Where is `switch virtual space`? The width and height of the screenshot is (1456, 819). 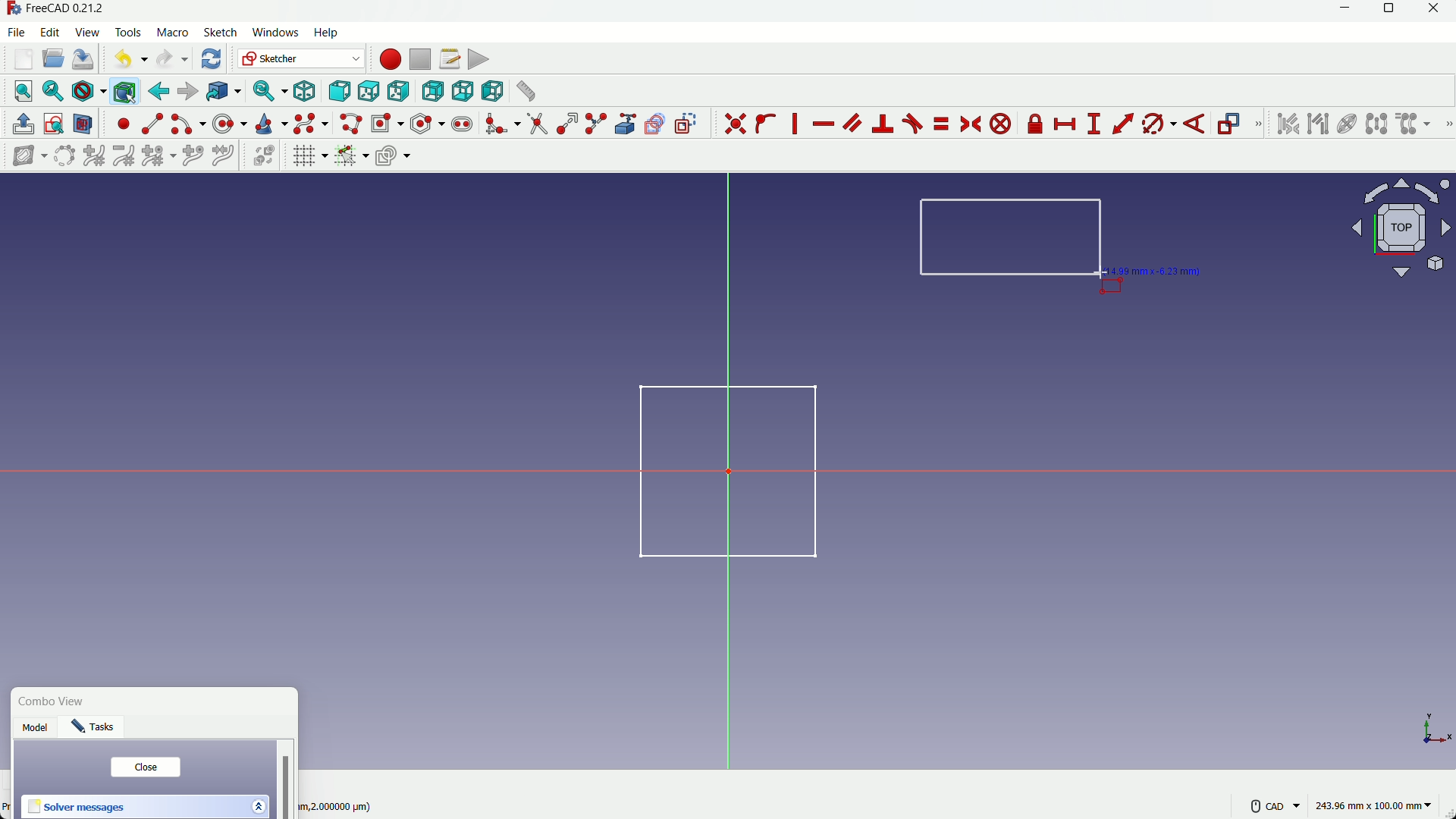 switch virtual space is located at coordinates (265, 156).